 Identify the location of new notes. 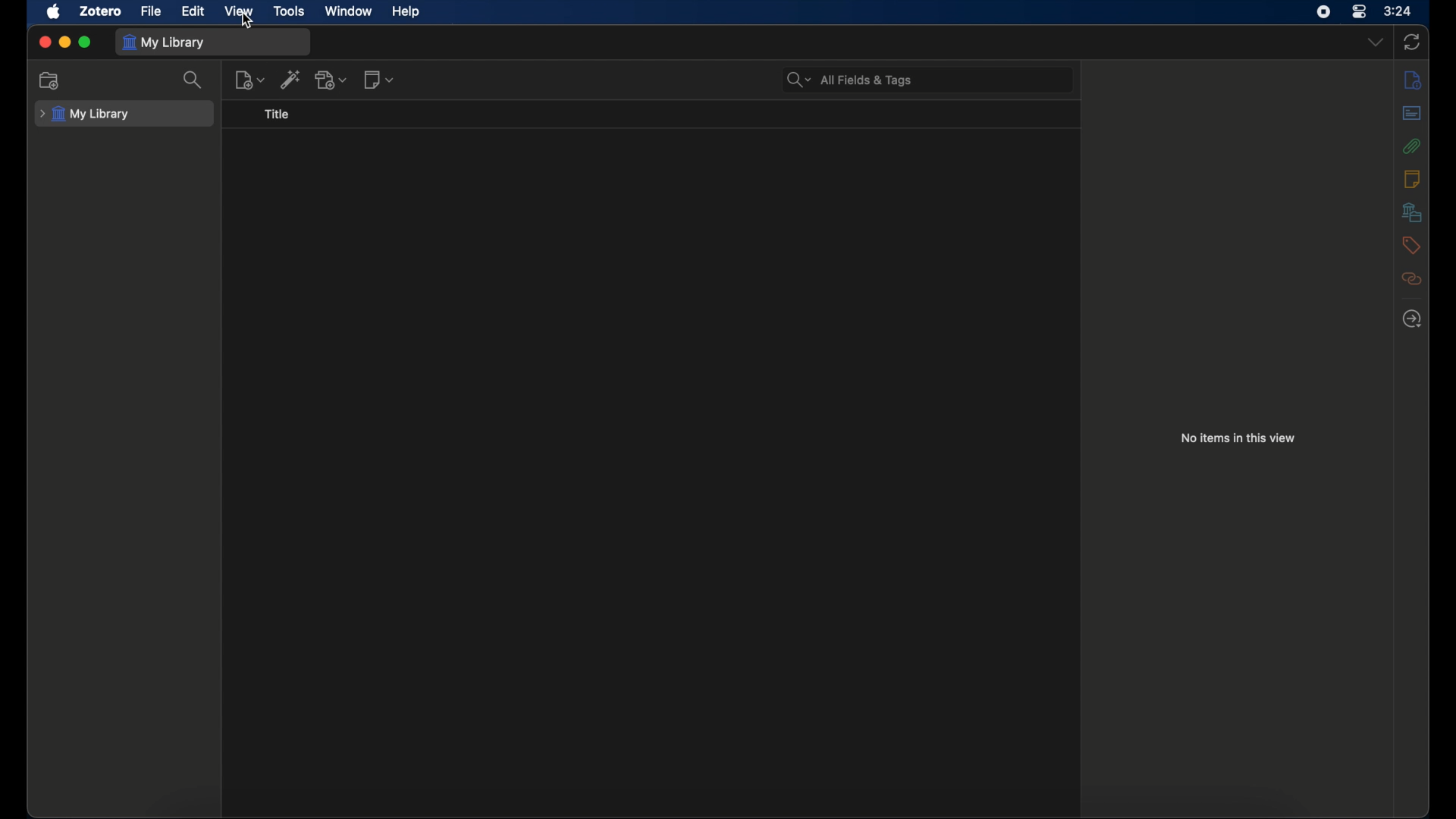
(381, 80).